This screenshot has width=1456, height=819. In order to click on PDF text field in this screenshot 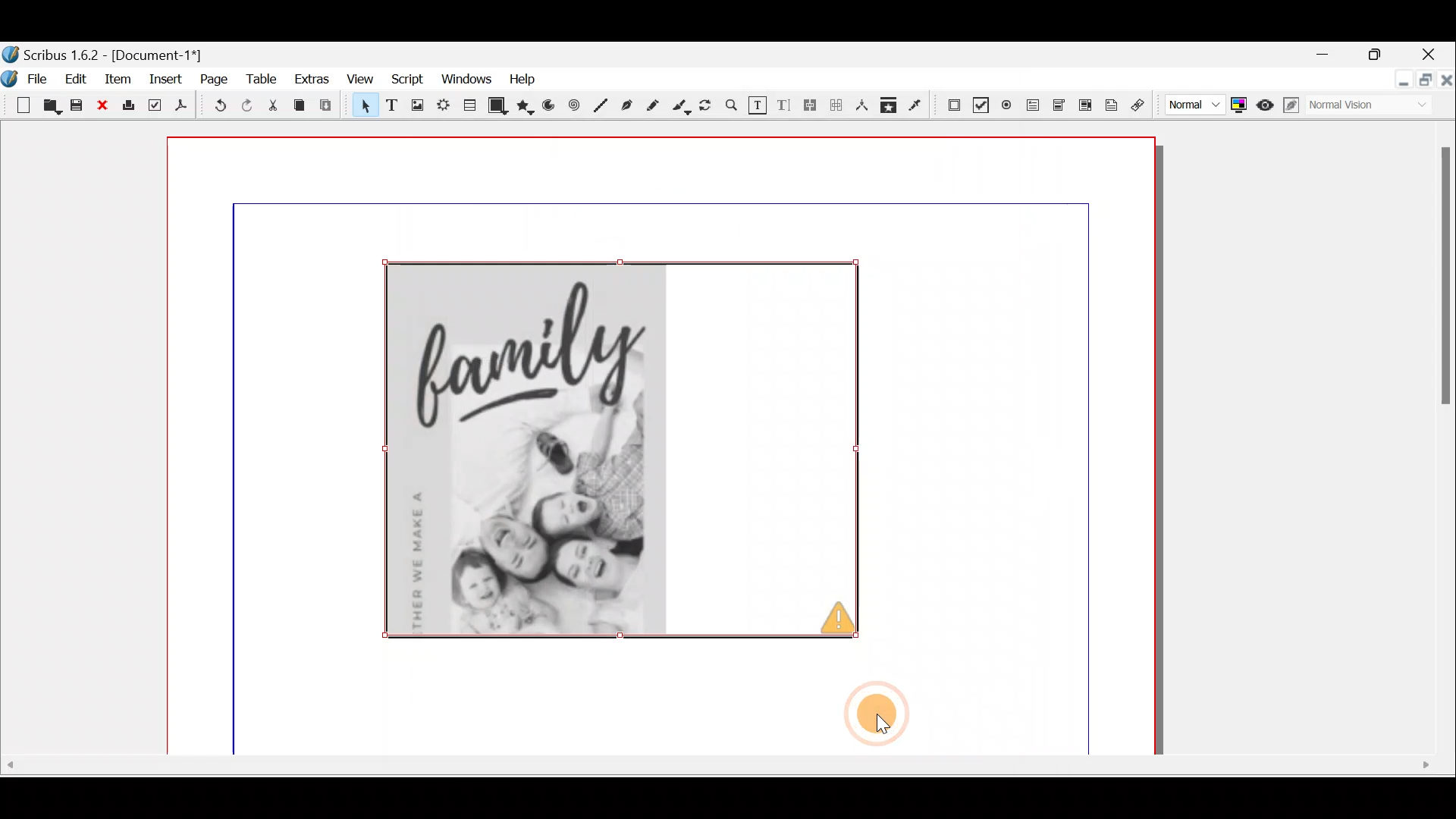, I will do `click(1035, 110)`.